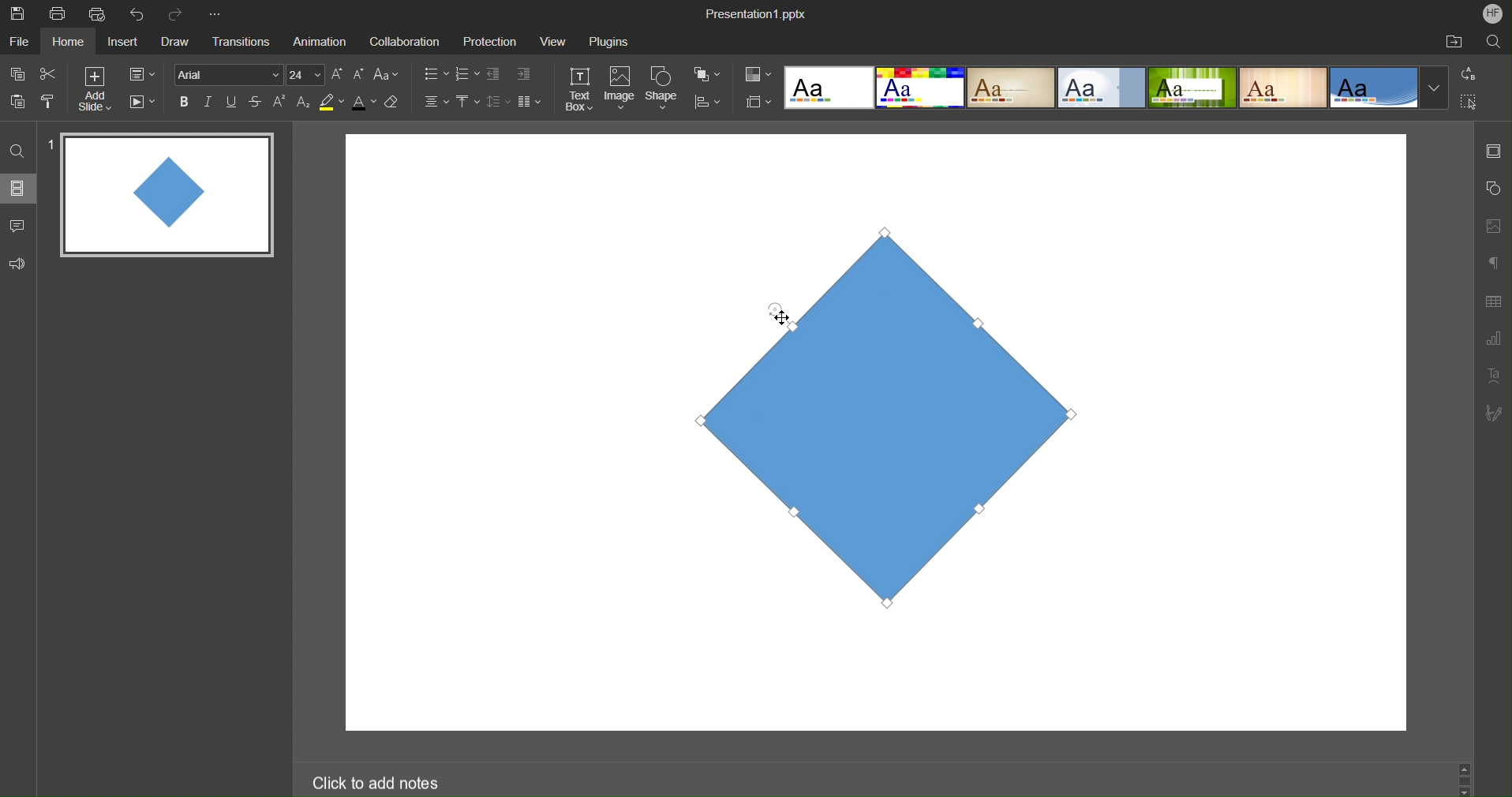 The width and height of the screenshot is (1512, 797). What do you see at coordinates (238, 40) in the screenshot?
I see `Transitions` at bounding box center [238, 40].